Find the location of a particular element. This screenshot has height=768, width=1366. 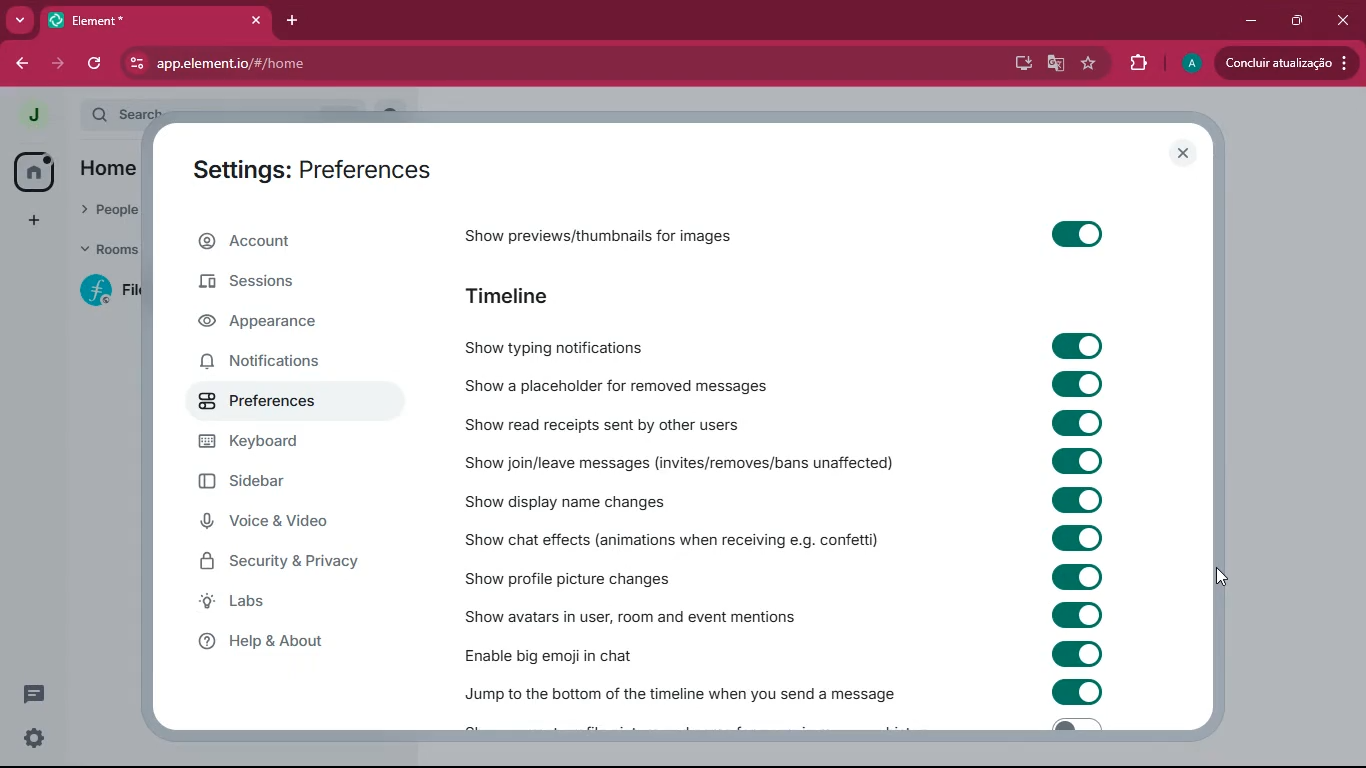

favourite is located at coordinates (1091, 64).